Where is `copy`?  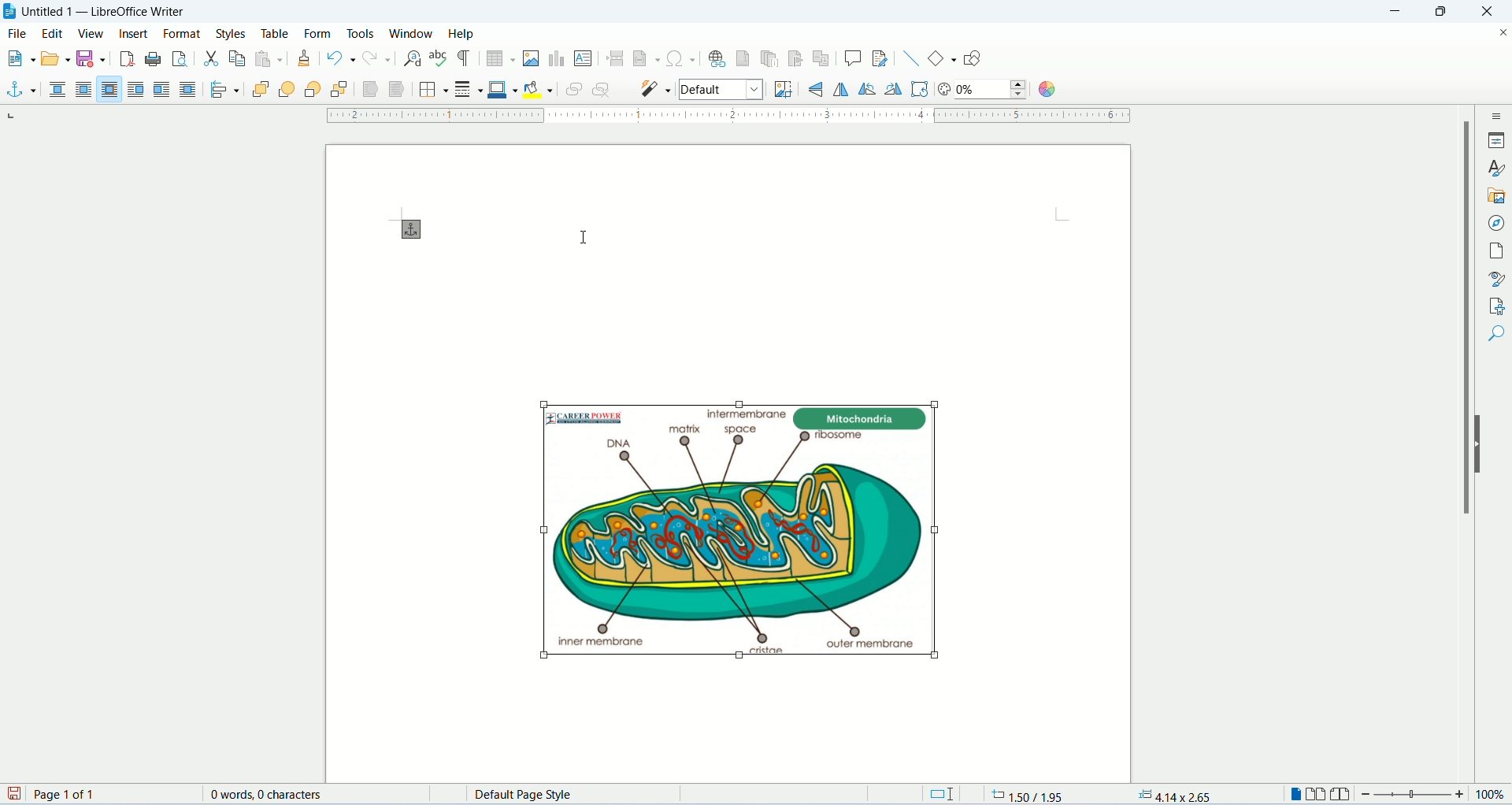
copy is located at coordinates (237, 58).